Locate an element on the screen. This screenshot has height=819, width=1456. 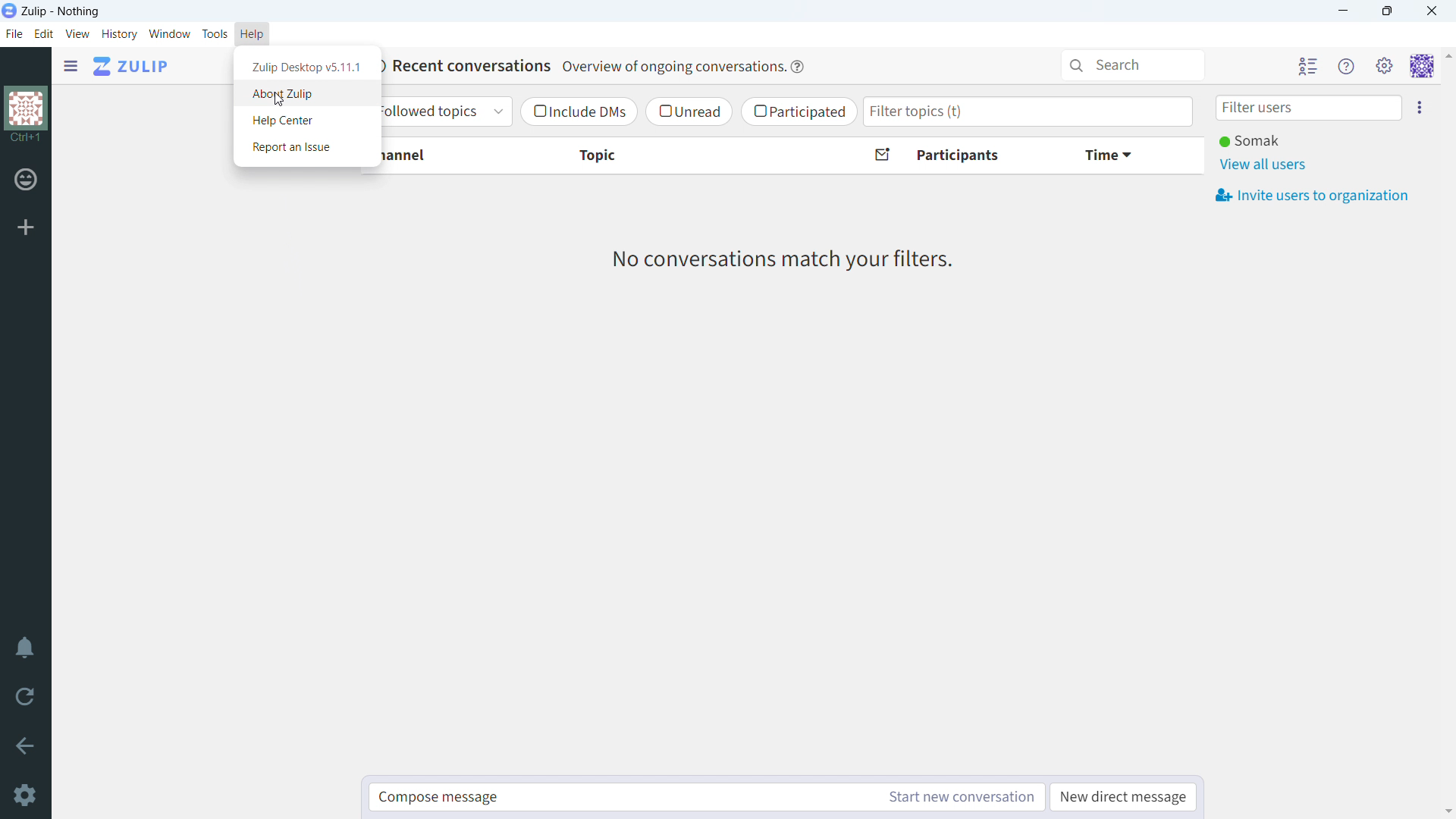
help menu is located at coordinates (1345, 65).